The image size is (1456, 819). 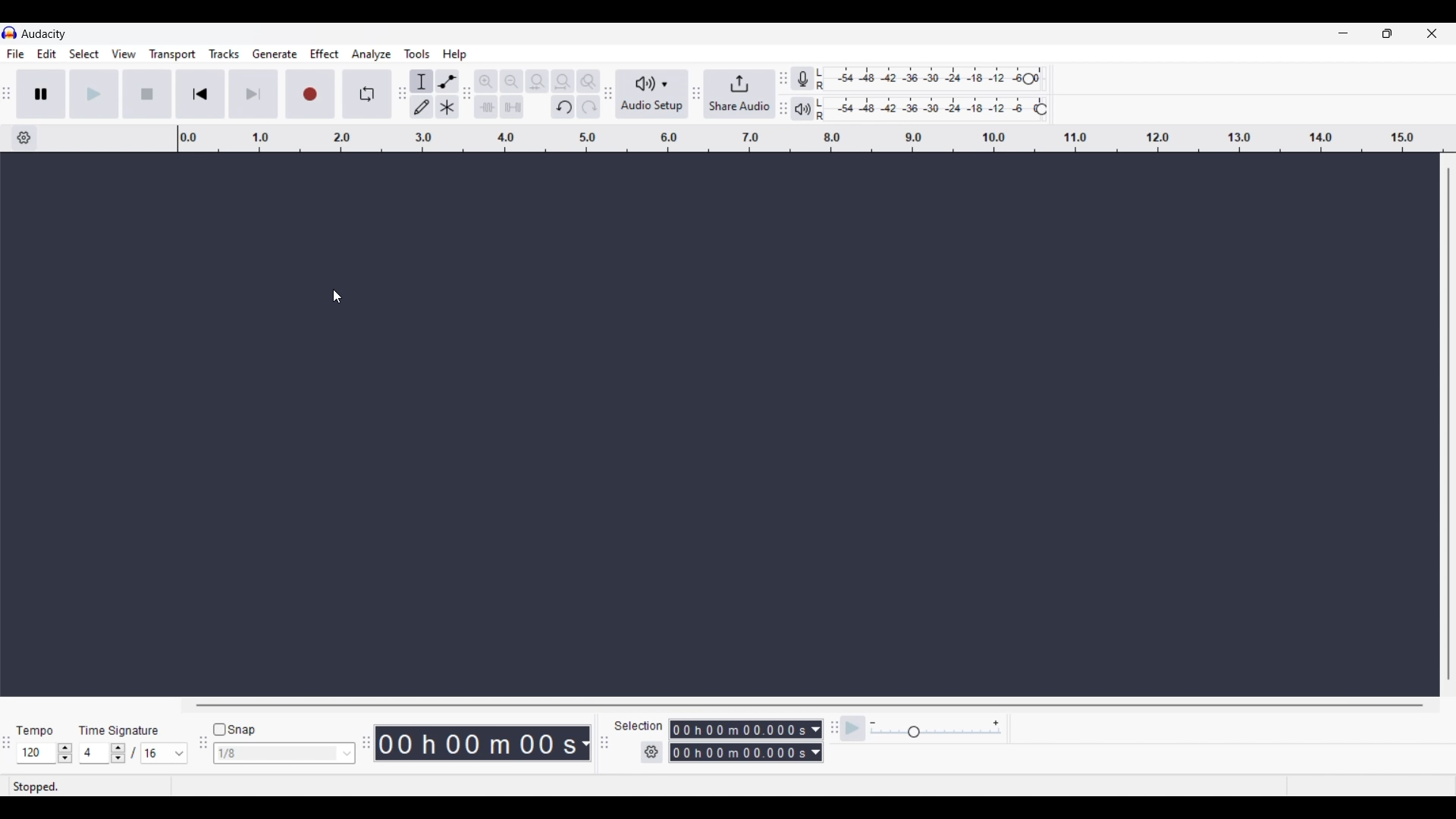 I want to click on Close interface, so click(x=1432, y=33).